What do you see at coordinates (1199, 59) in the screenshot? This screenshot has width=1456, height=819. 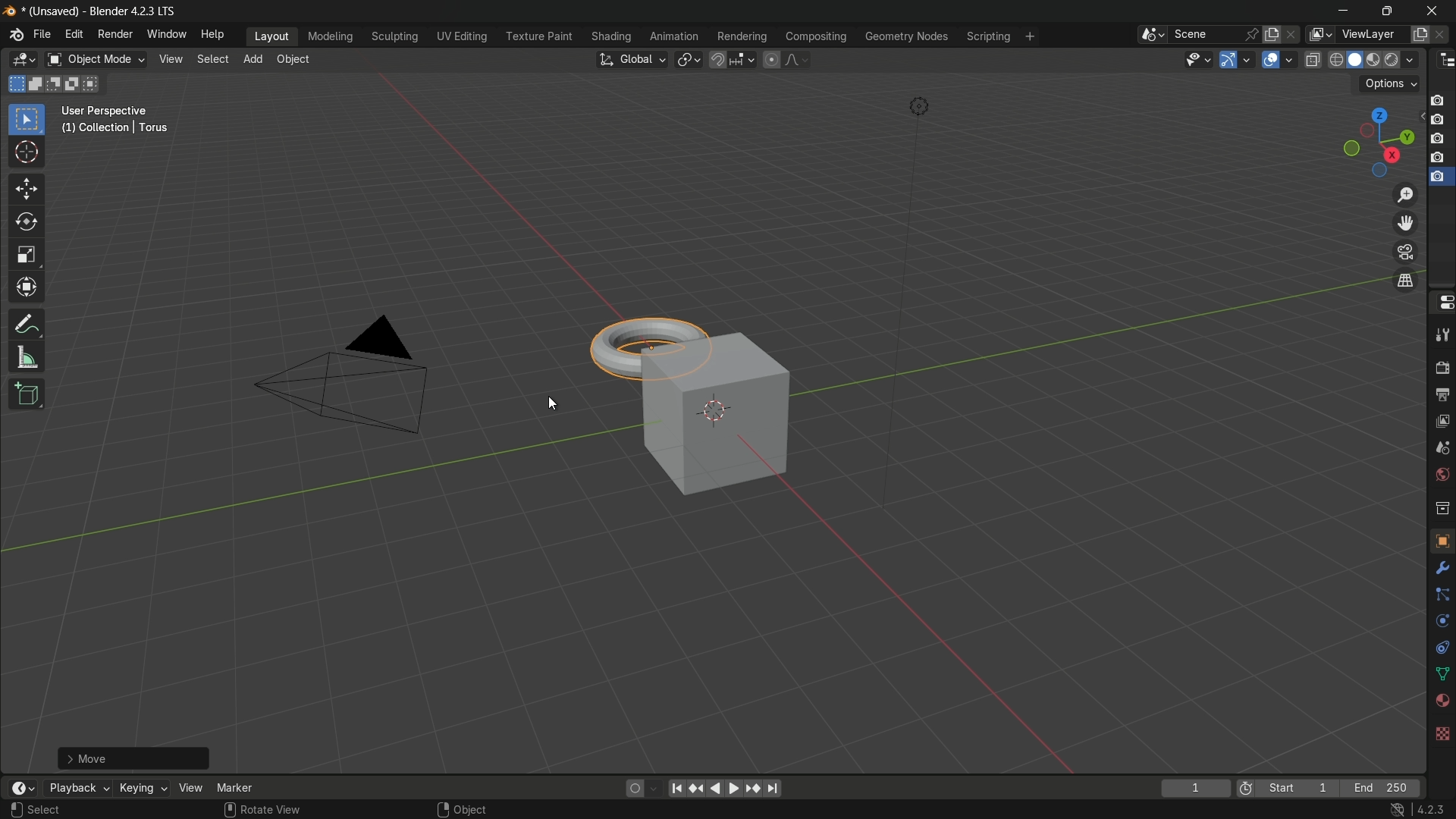 I see `selectability and visibility` at bounding box center [1199, 59].